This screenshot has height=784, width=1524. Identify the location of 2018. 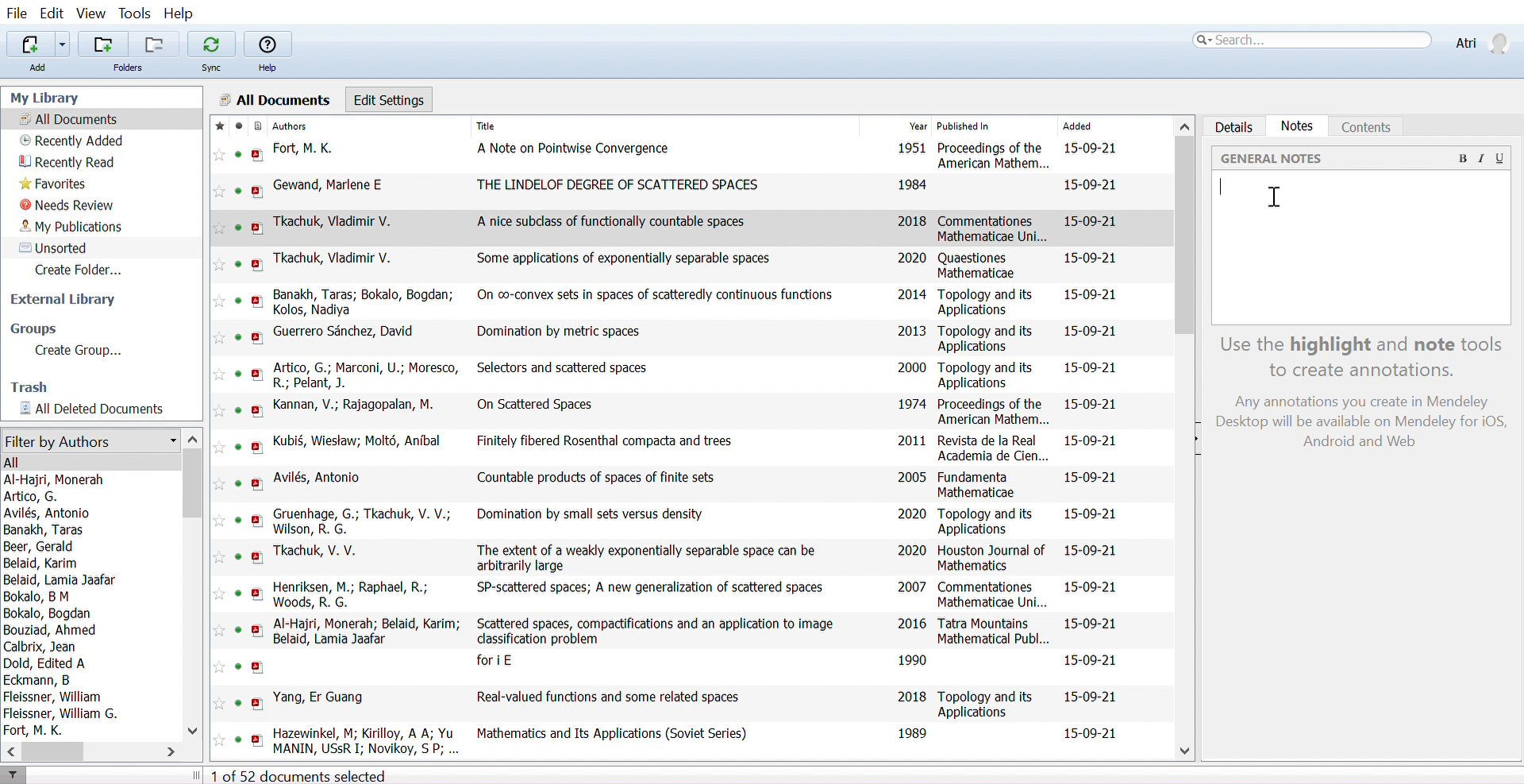
(914, 698).